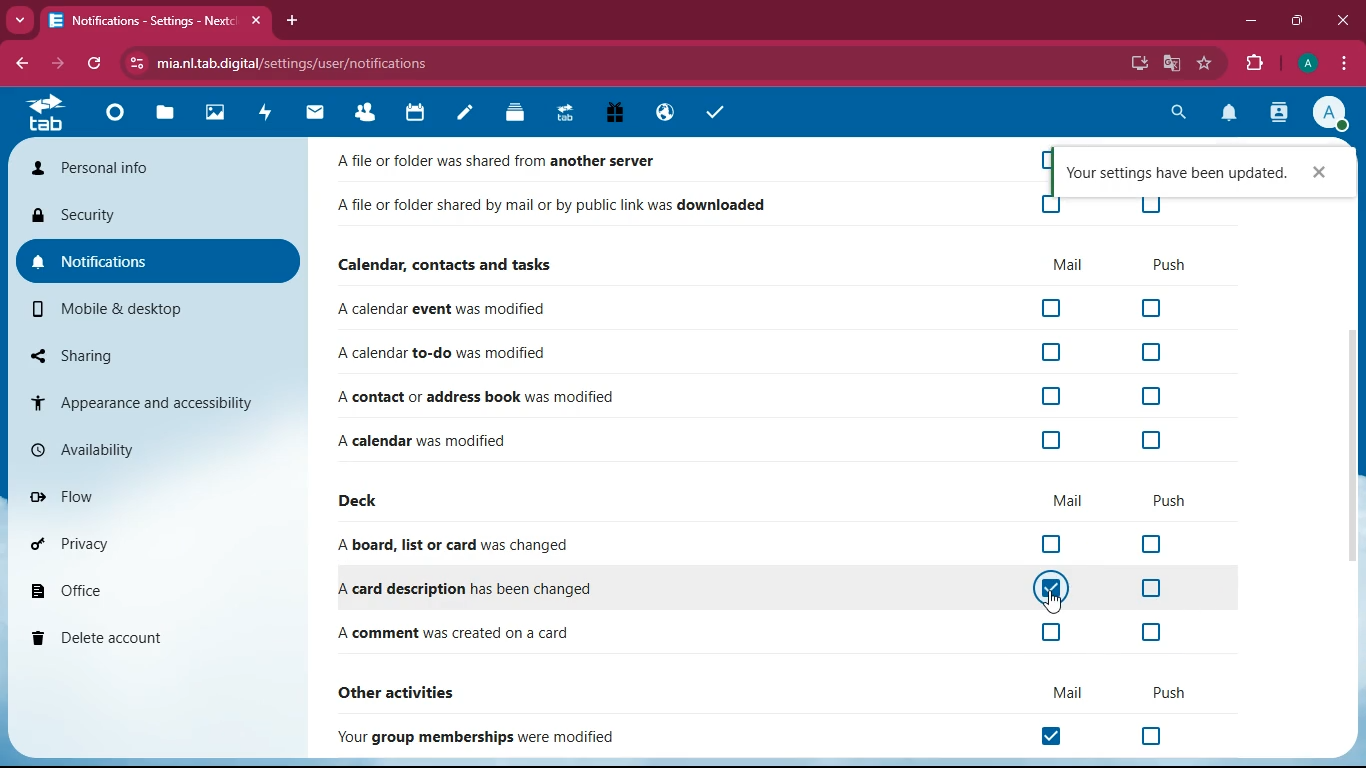 The height and width of the screenshot is (768, 1366). Describe the element at coordinates (1174, 113) in the screenshot. I see `search` at that location.